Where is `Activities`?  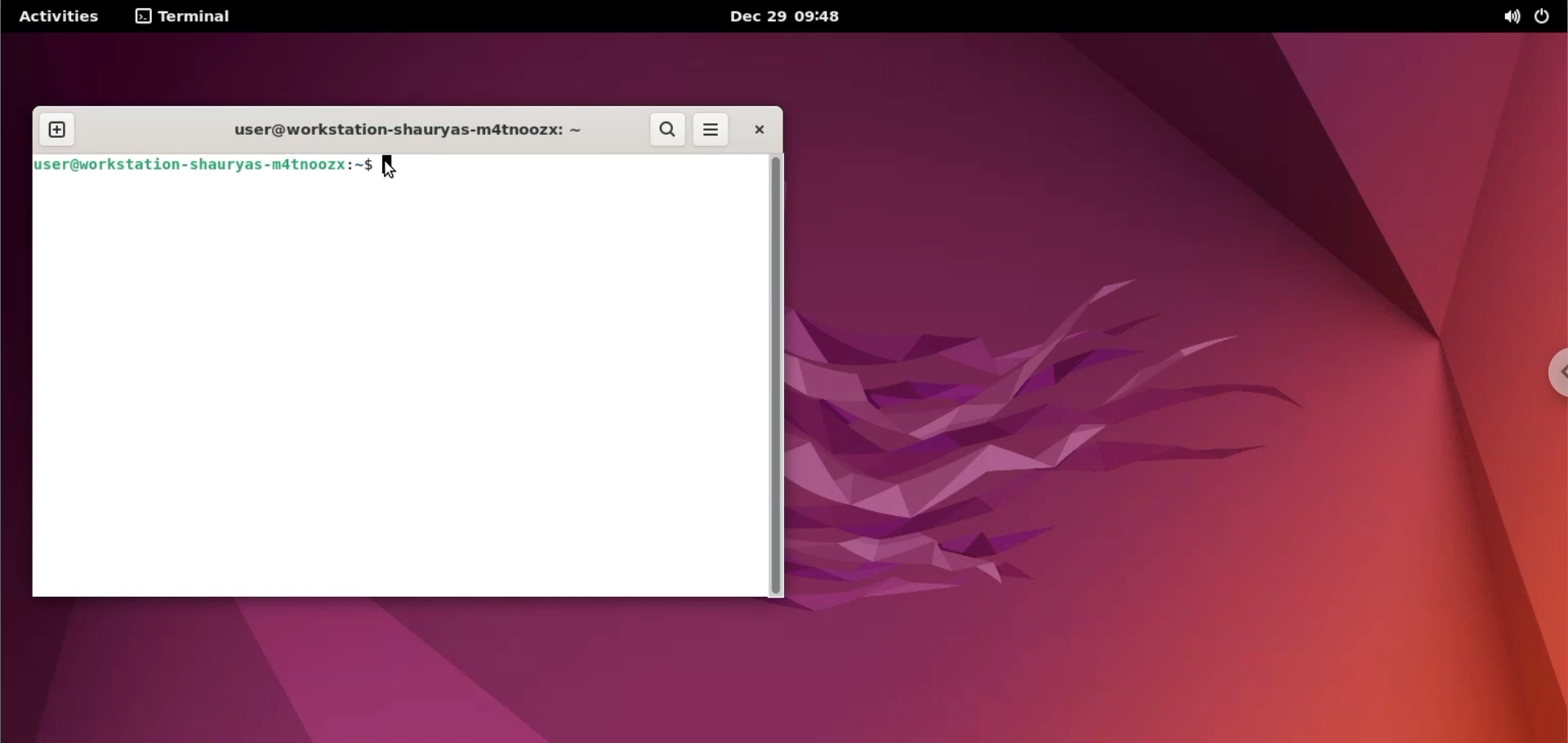 Activities is located at coordinates (55, 19).